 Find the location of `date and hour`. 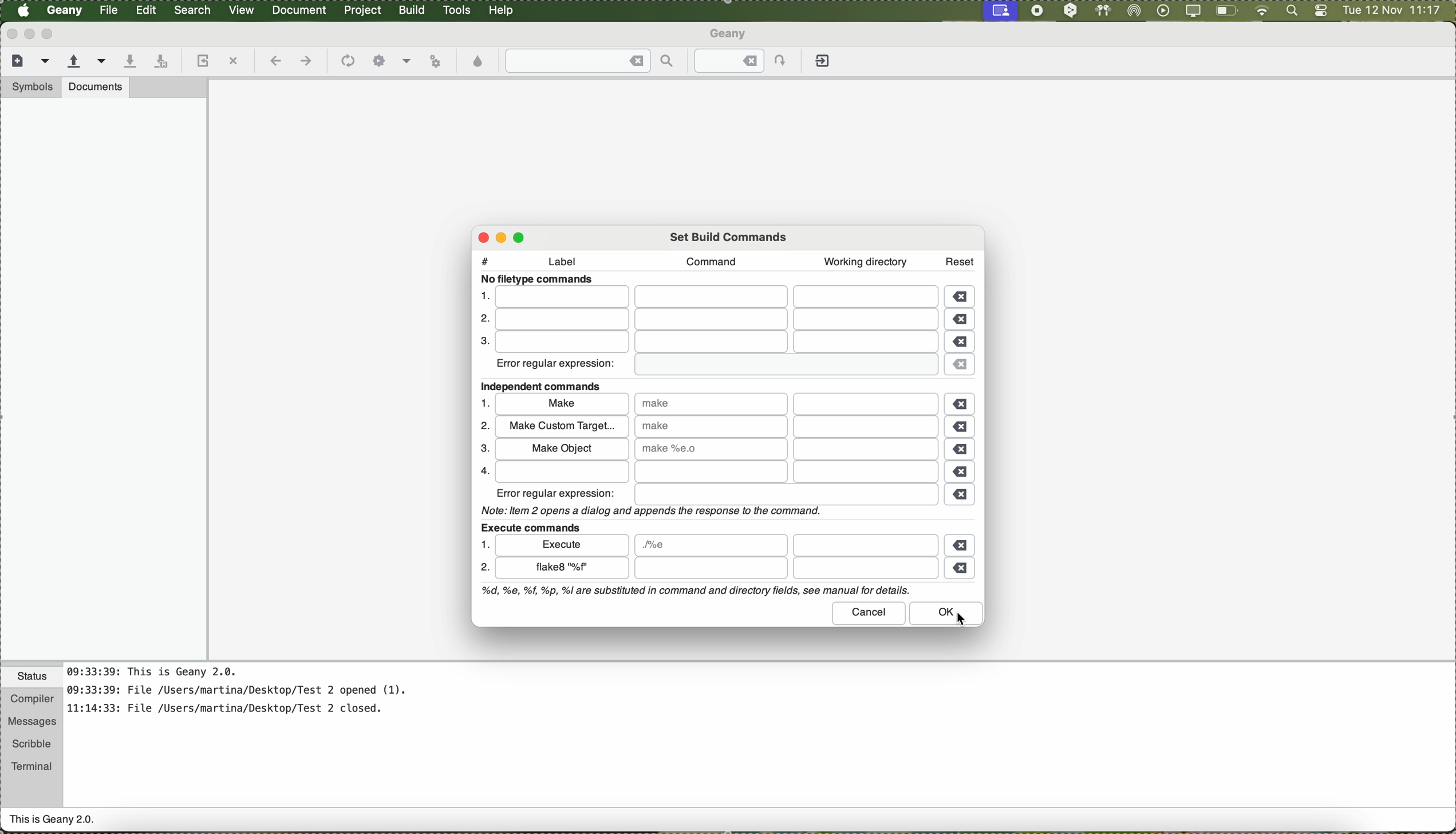

date and hour is located at coordinates (1392, 11).